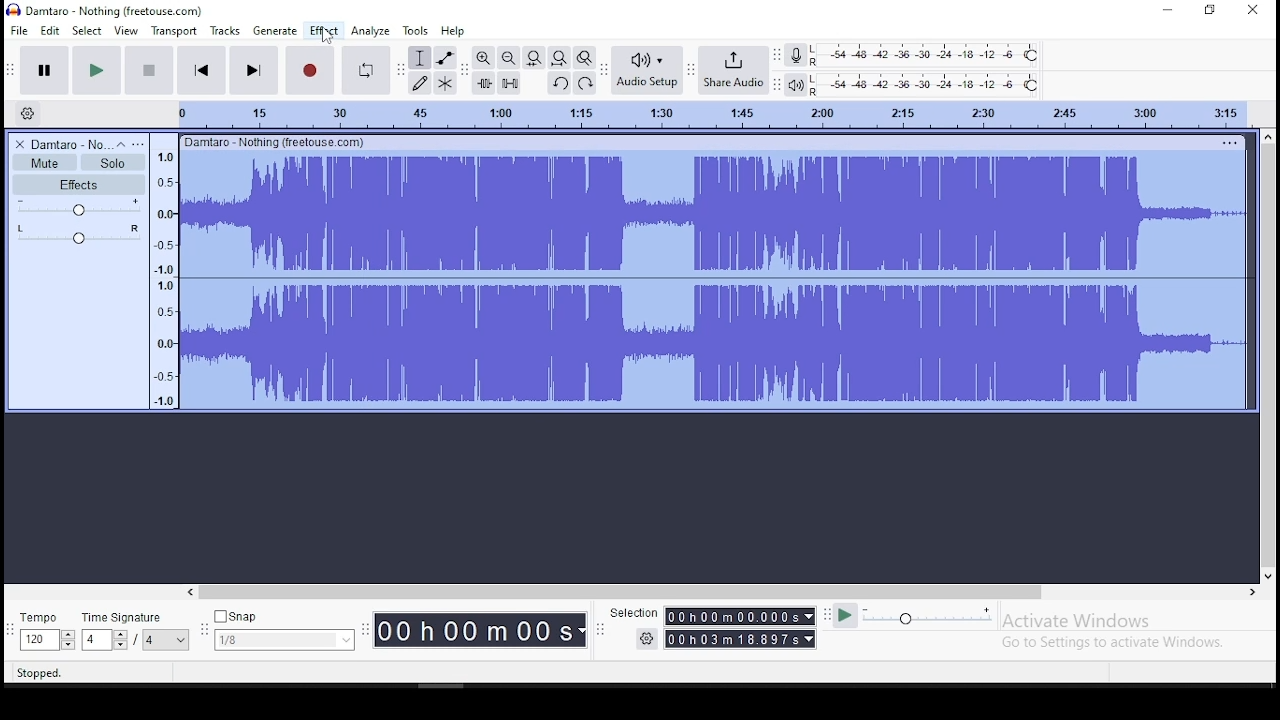 Image resolution: width=1280 pixels, height=720 pixels. Describe the element at coordinates (10, 69) in the screenshot. I see `` at that location.